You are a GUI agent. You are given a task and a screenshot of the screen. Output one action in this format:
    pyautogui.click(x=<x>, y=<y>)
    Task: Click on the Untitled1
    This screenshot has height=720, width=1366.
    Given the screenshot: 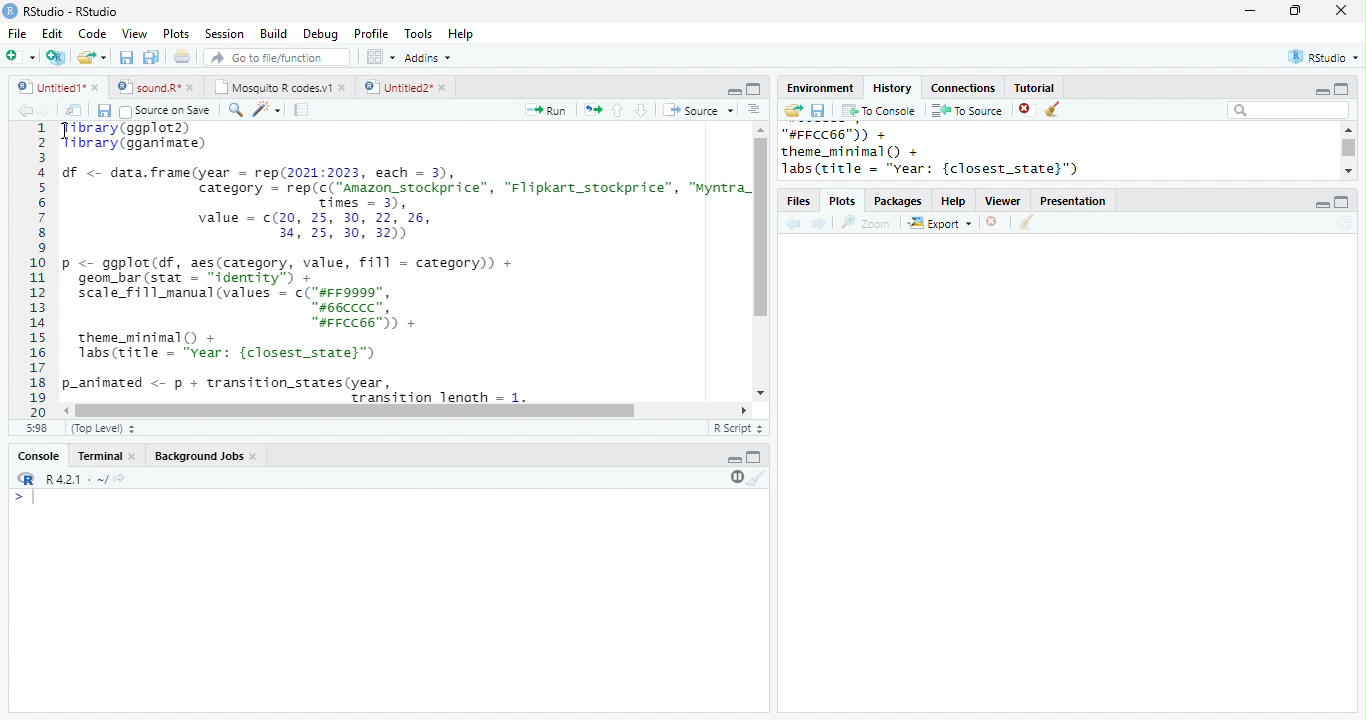 What is the action you would take?
    pyautogui.click(x=47, y=86)
    